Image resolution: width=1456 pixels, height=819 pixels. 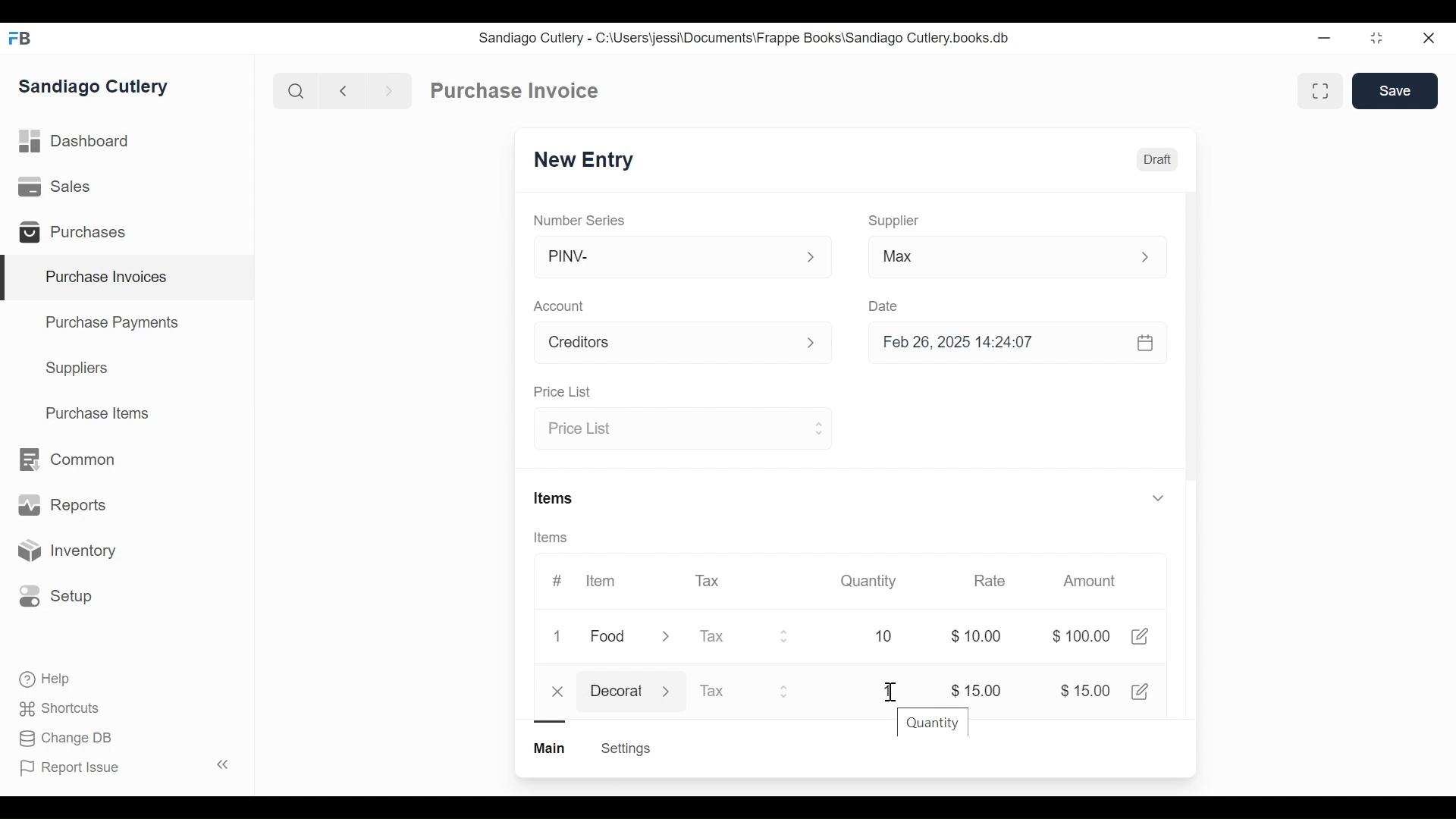 What do you see at coordinates (664, 345) in the screenshot?
I see `Account` at bounding box center [664, 345].